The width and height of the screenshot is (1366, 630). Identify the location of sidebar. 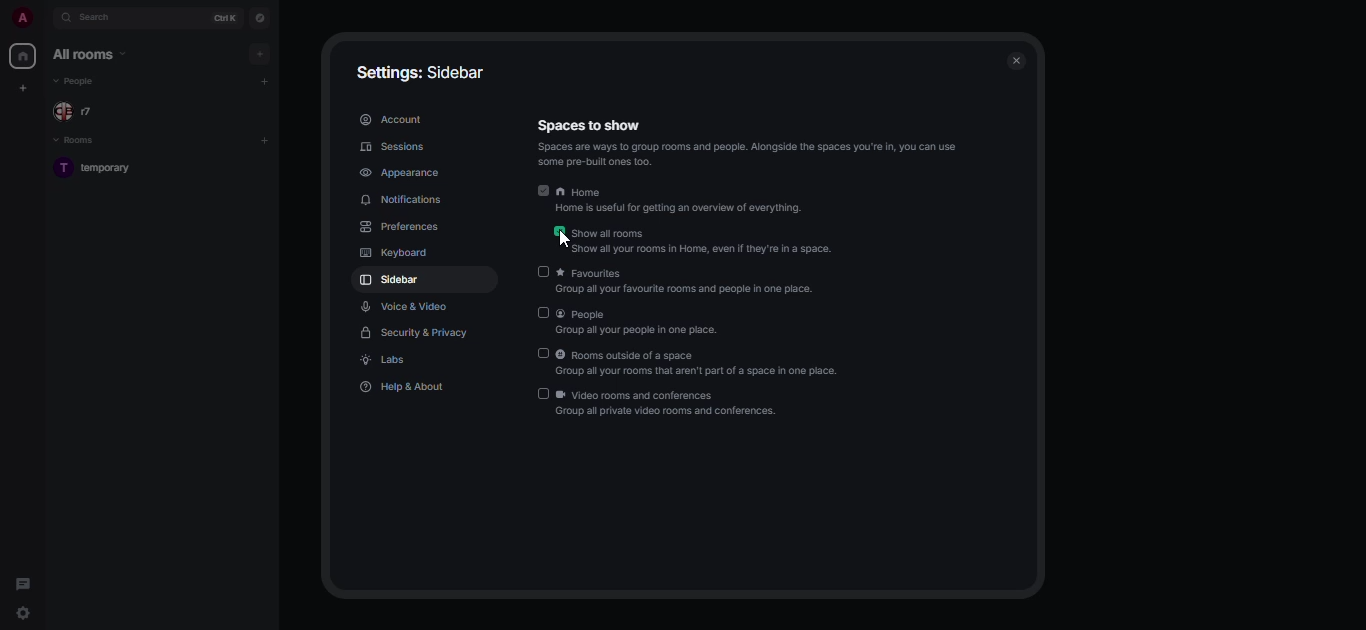
(390, 282).